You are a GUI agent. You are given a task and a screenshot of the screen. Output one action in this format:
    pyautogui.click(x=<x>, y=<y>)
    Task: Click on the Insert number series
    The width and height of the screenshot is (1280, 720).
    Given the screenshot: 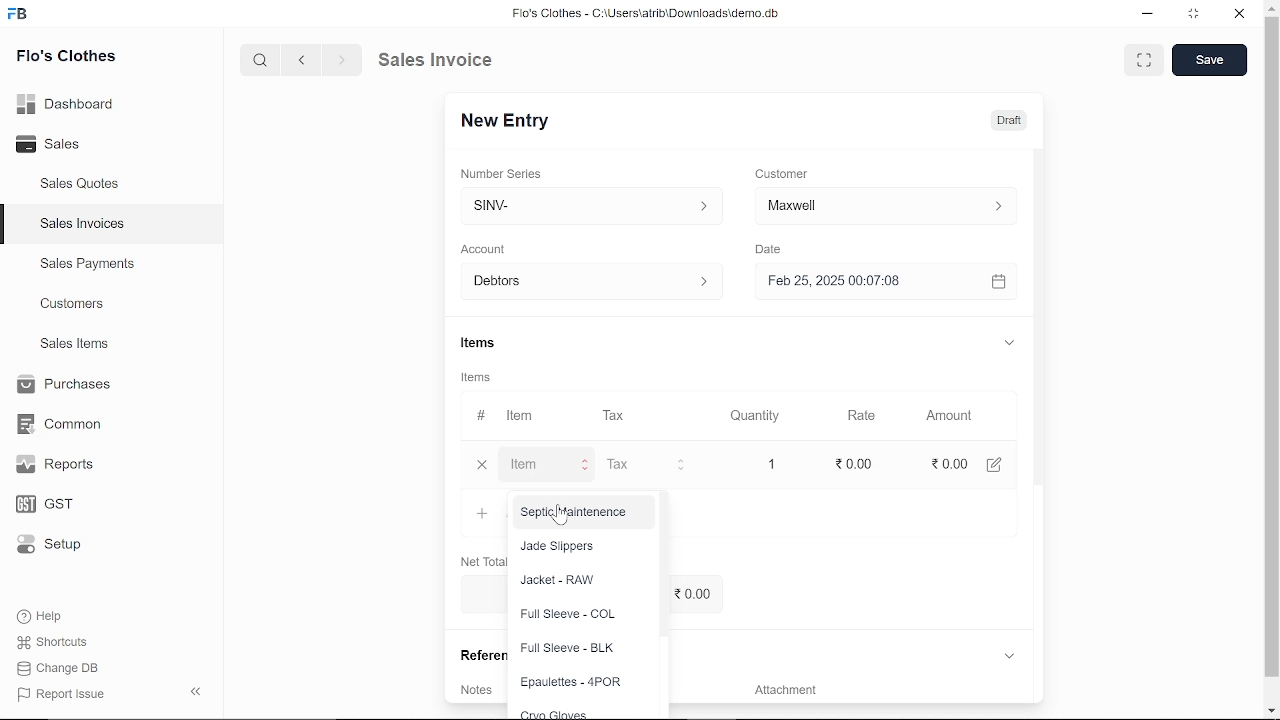 What is the action you would take?
    pyautogui.click(x=601, y=203)
    